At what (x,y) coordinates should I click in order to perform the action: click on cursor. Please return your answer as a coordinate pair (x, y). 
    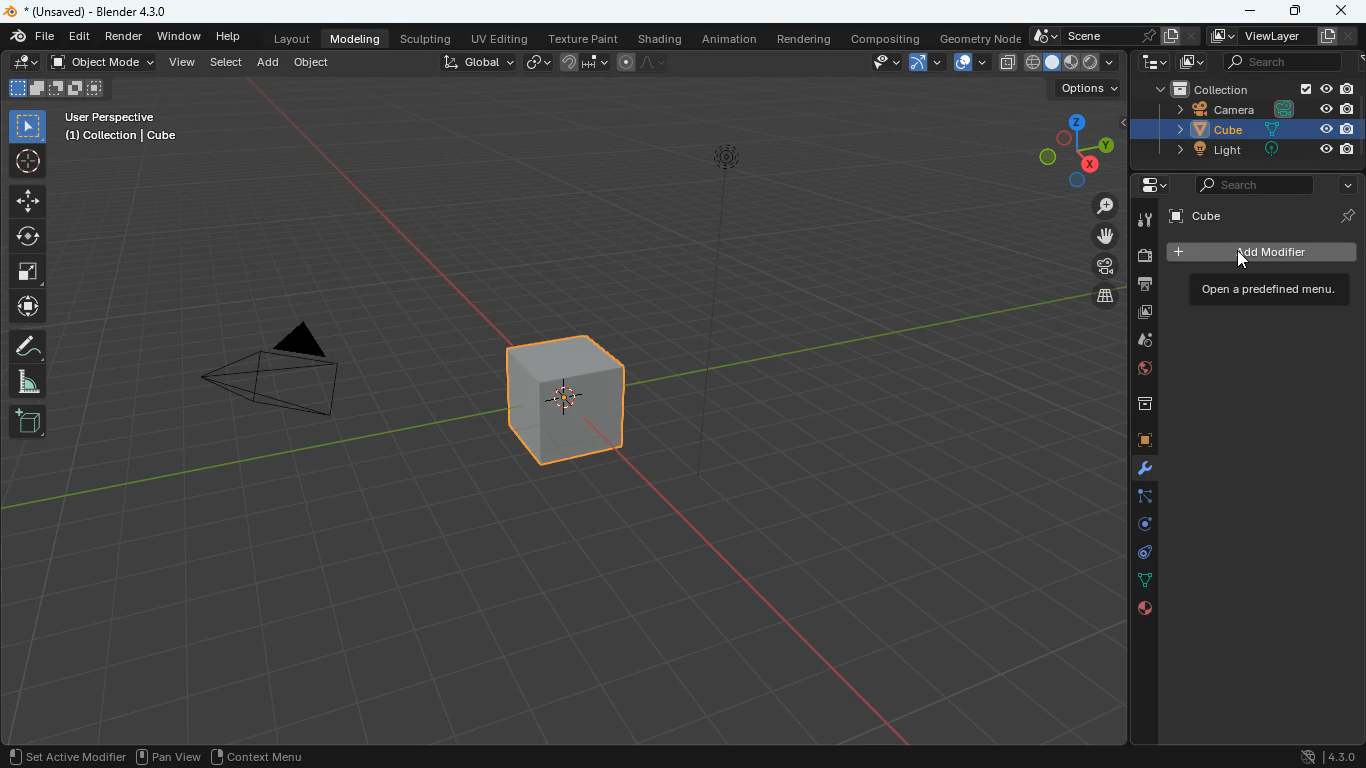
    Looking at the image, I should click on (1242, 259).